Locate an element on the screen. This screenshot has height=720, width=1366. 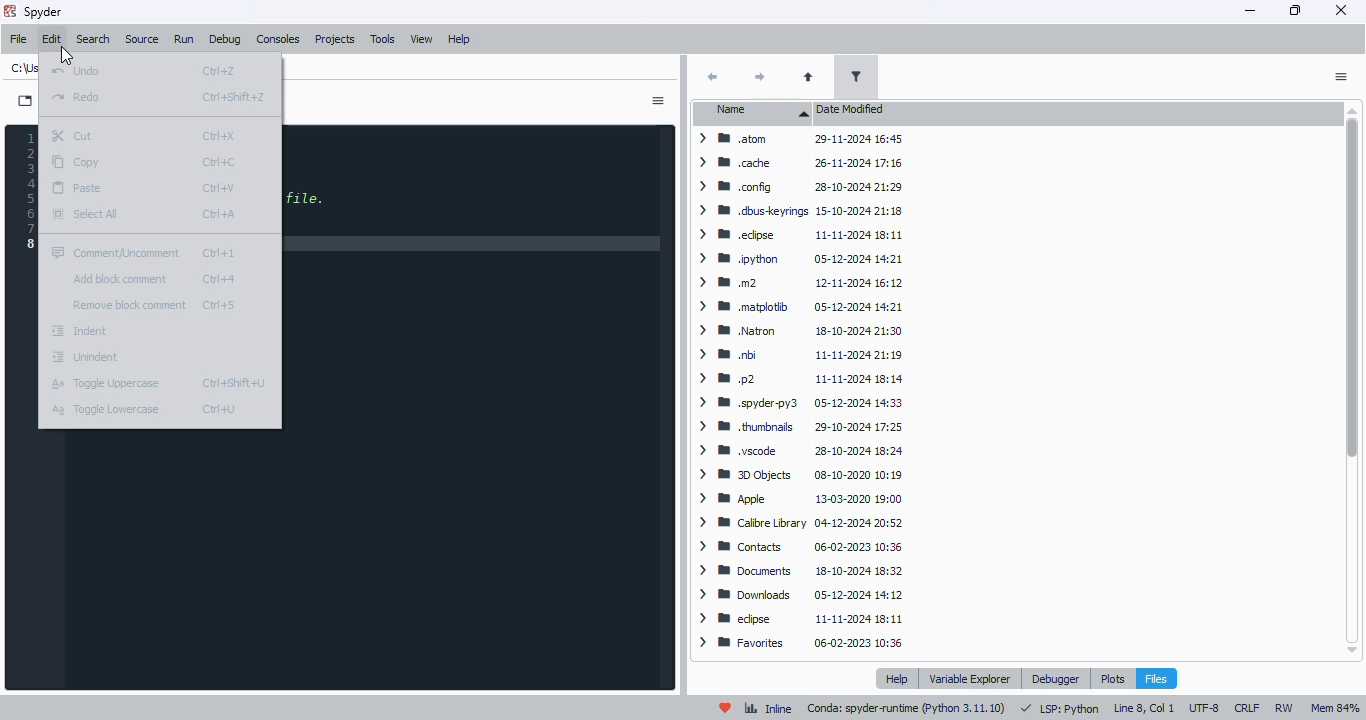
file is located at coordinates (19, 39).